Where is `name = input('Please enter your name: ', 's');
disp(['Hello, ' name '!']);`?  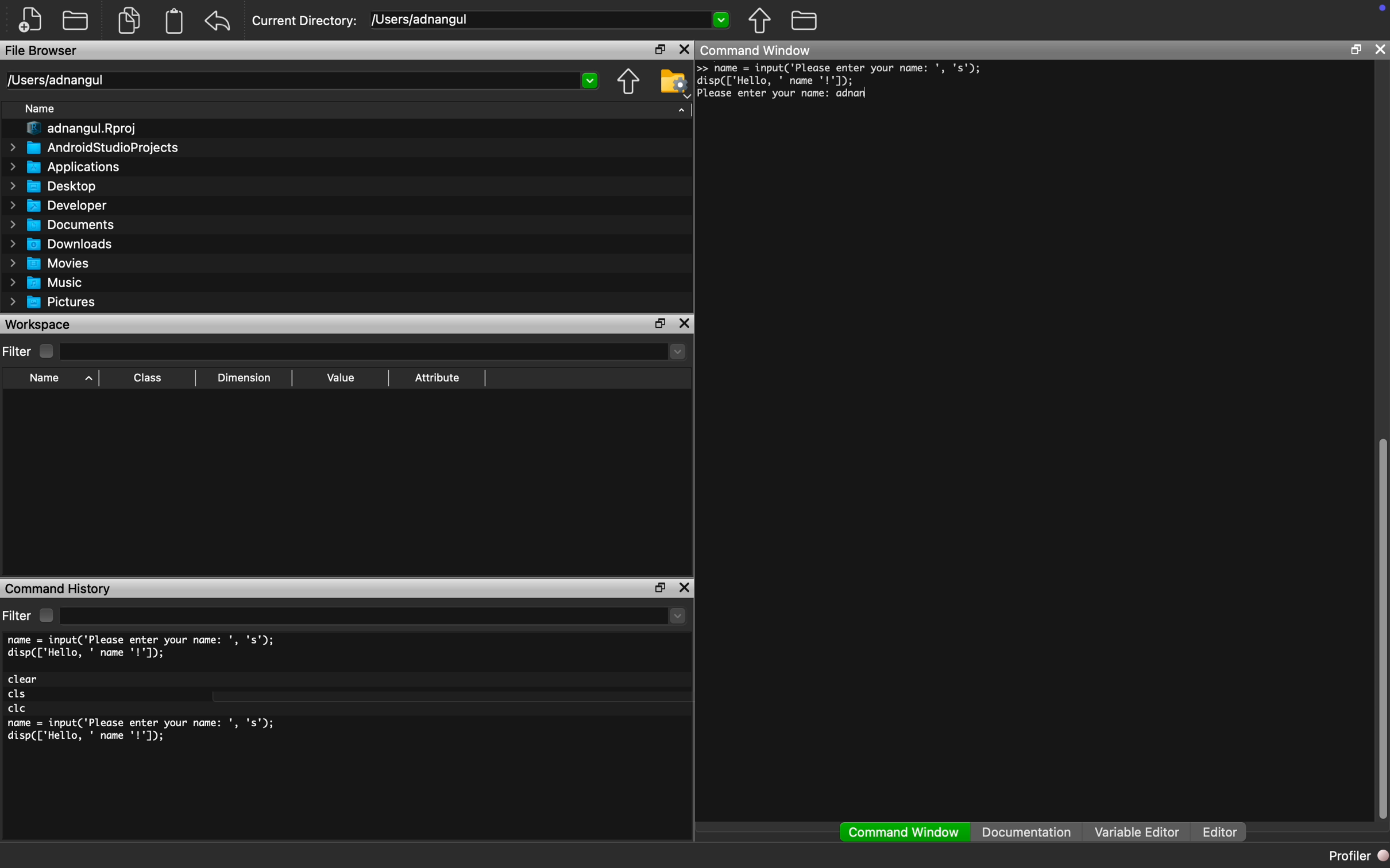
name = input('Please enter your name: ', 's');
disp(['Hello, ' name '!']); is located at coordinates (144, 647).